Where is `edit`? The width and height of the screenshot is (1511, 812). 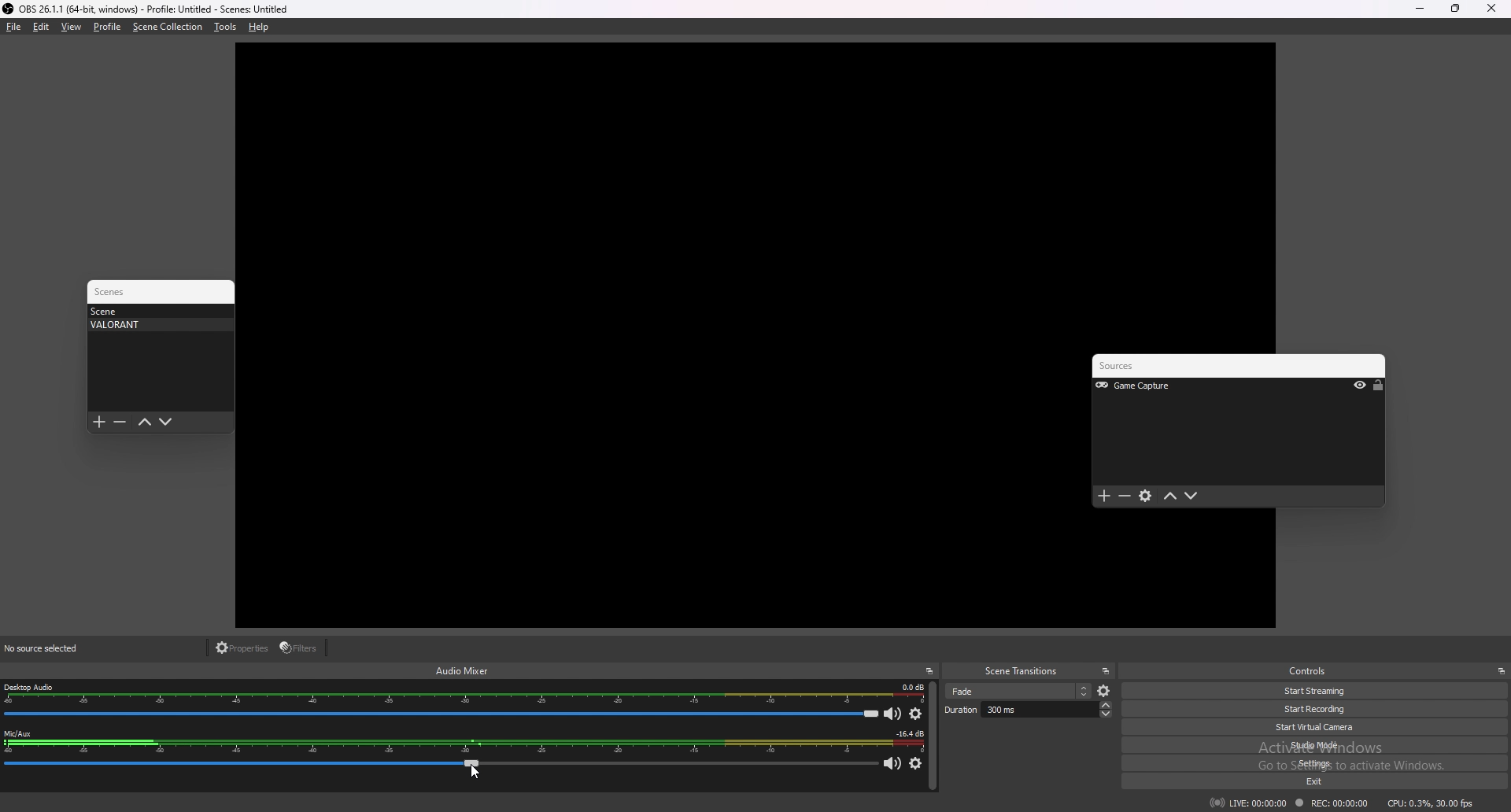
edit is located at coordinates (41, 27).